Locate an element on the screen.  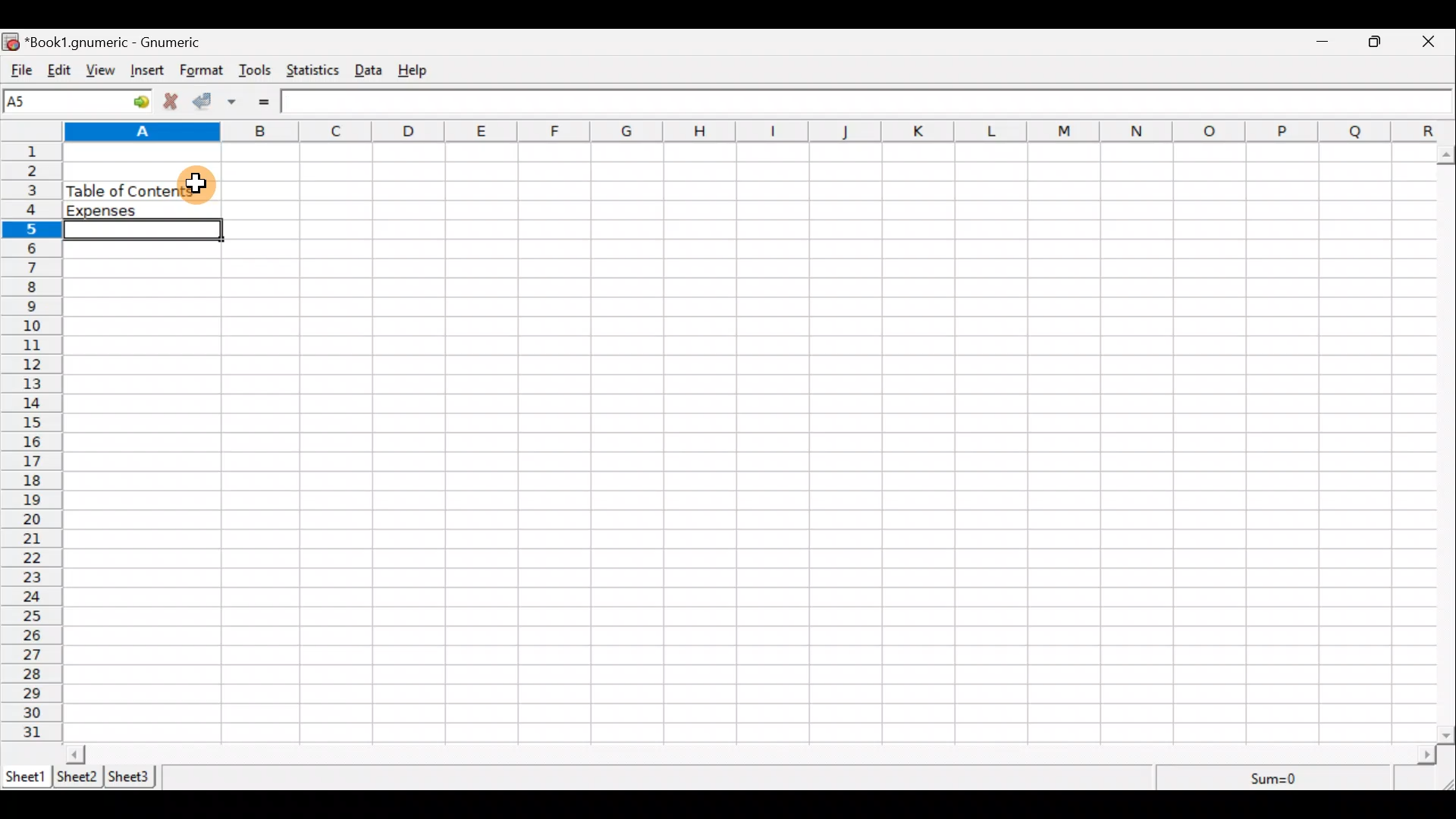
Statistics is located at coordinates (315, 72).